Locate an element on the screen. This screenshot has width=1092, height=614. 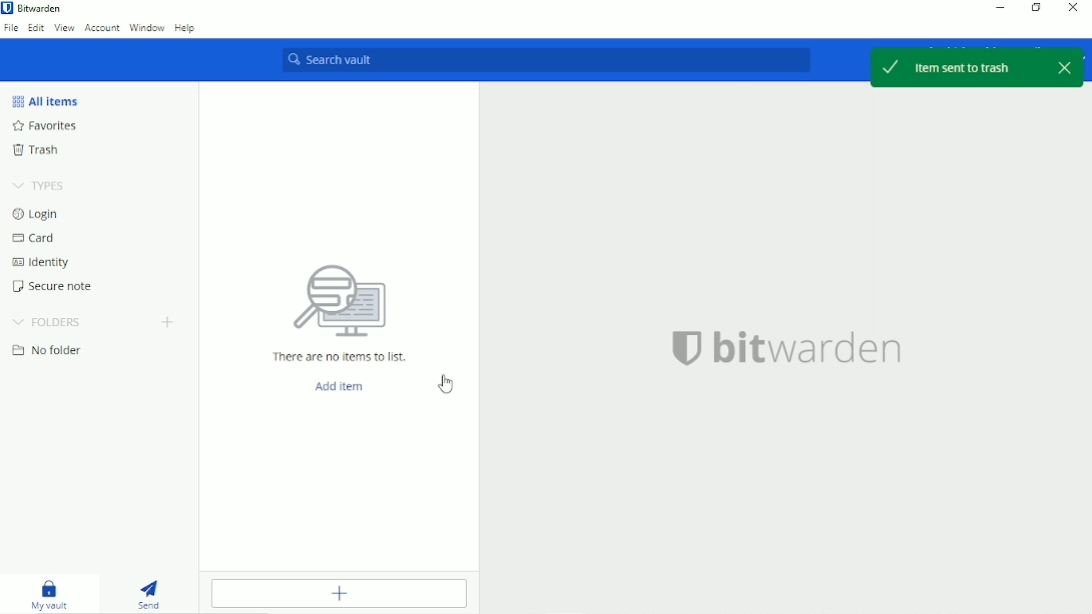
Folders is located at coordinates (47, 323).